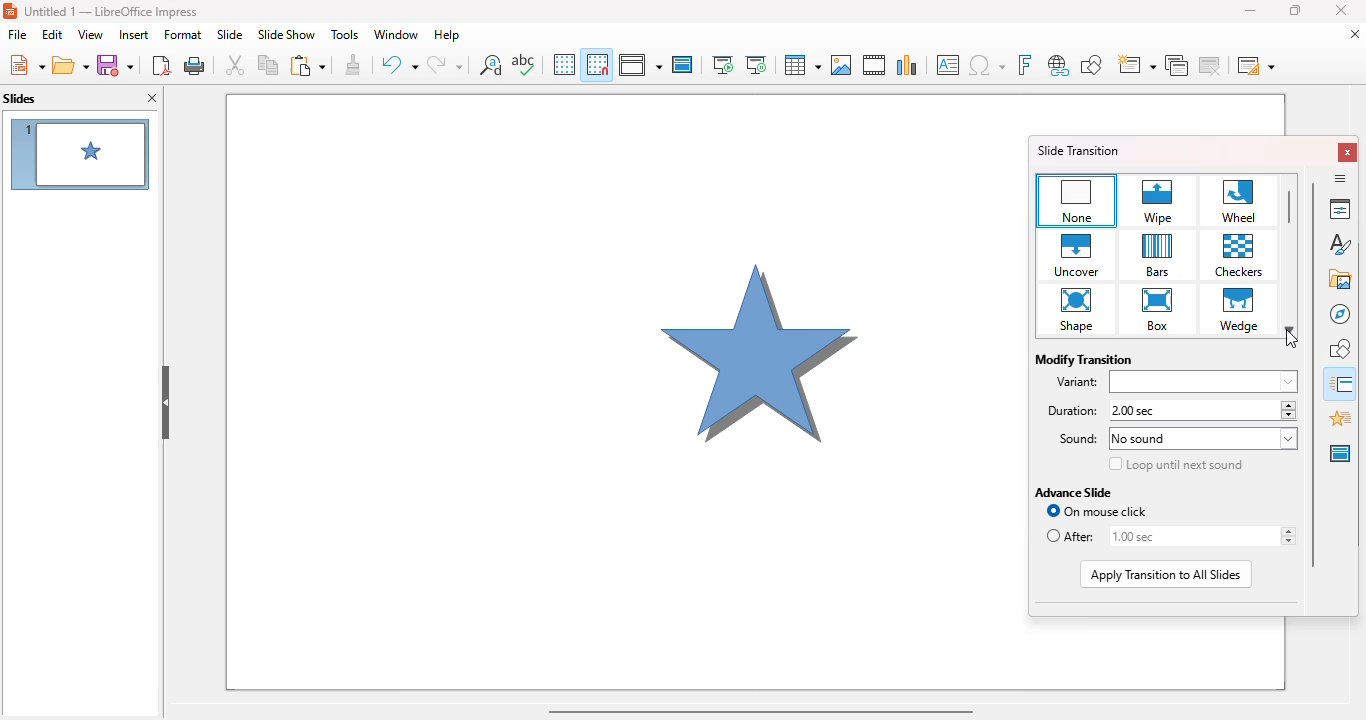 Image resolution: width=1366 pixels, height=720 pixels. What do you see at coordinates (398, 65) in the screenshot?
I see `undo` at bounding box center [398, 65].